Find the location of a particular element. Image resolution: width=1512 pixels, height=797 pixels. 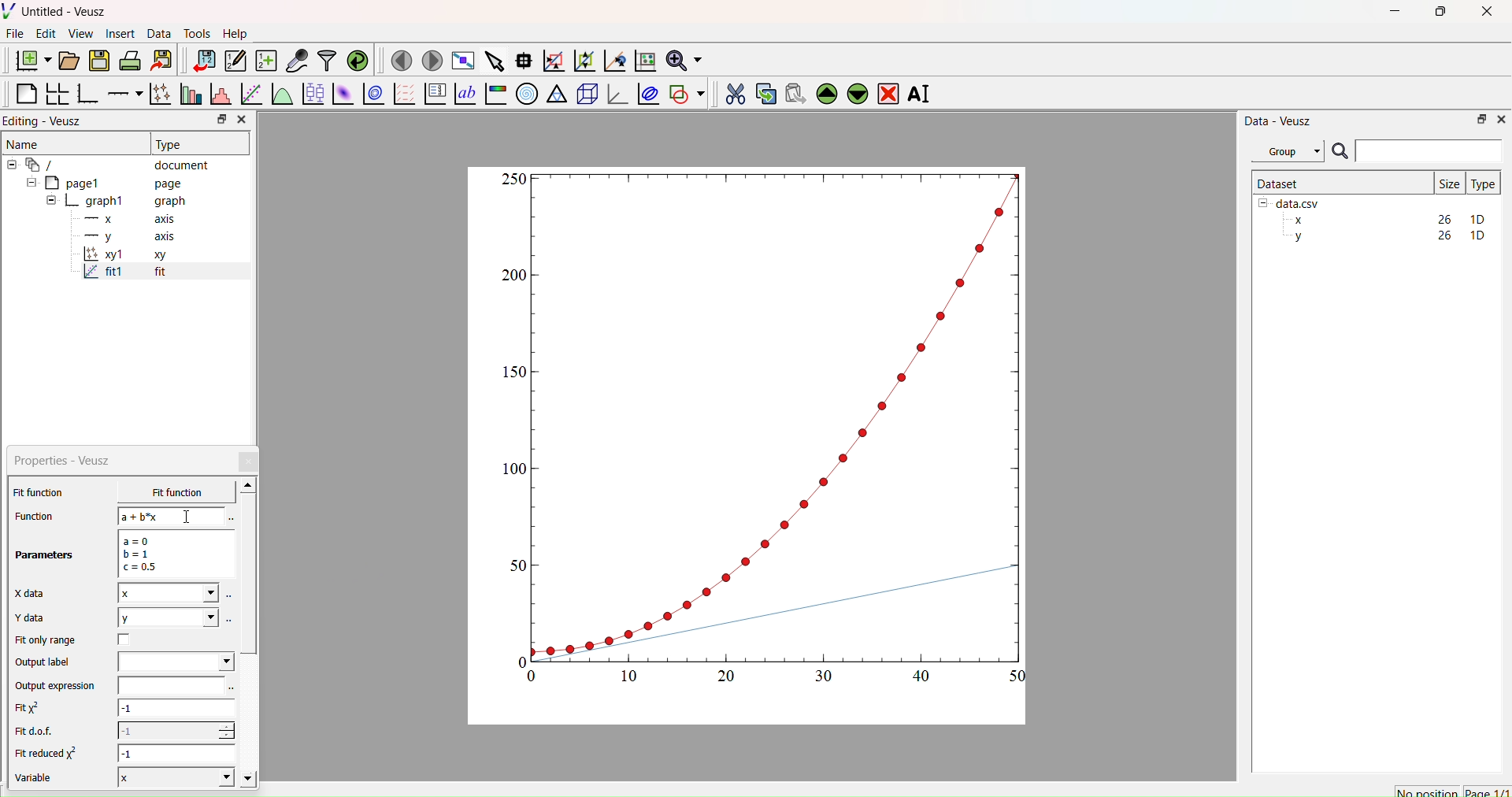

a= 0 b=1 c = 0.5 is located at coordinates (173, 554).